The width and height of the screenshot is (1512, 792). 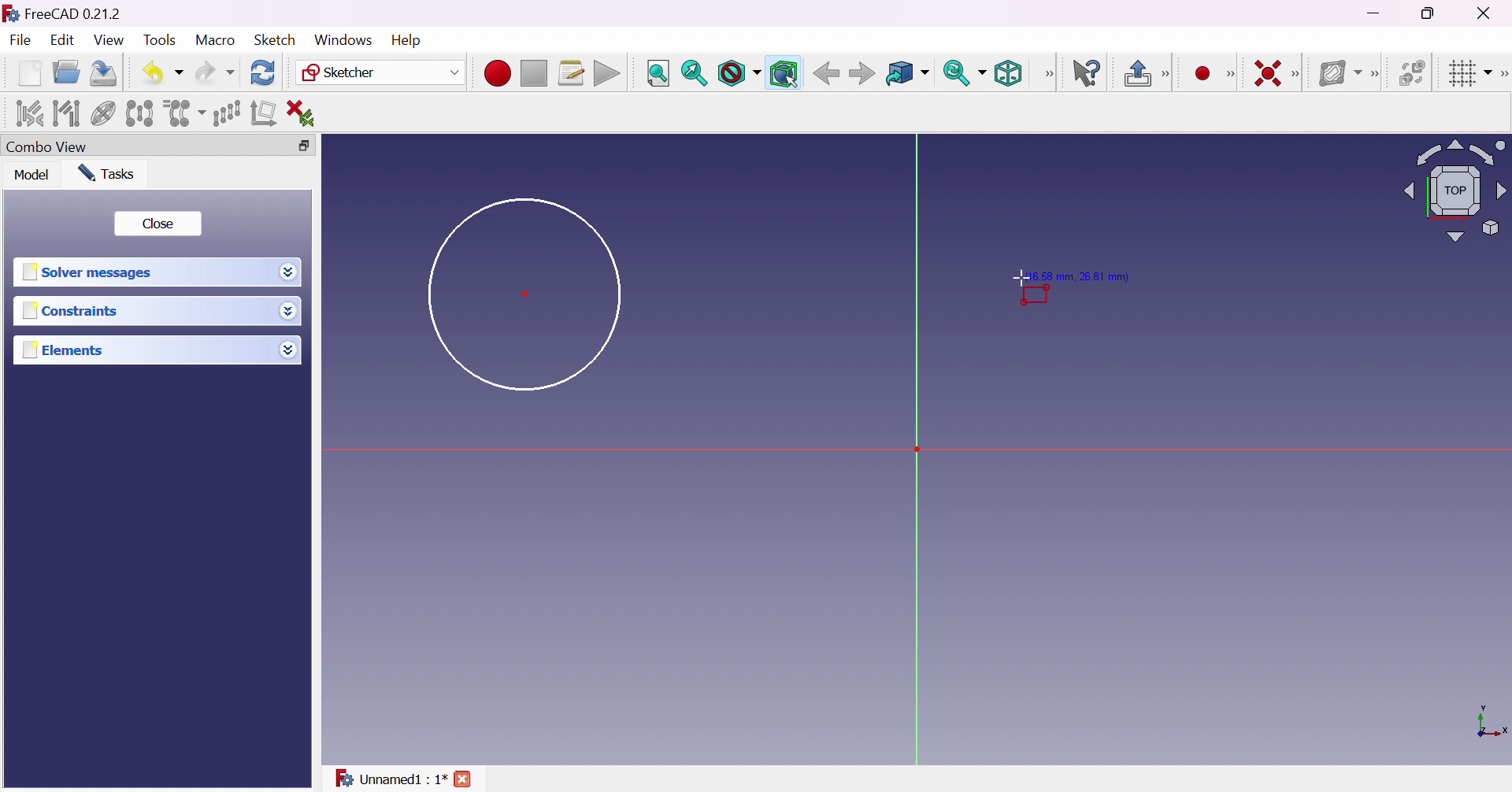 I want to click on Windows, so click(x=342, y=39).